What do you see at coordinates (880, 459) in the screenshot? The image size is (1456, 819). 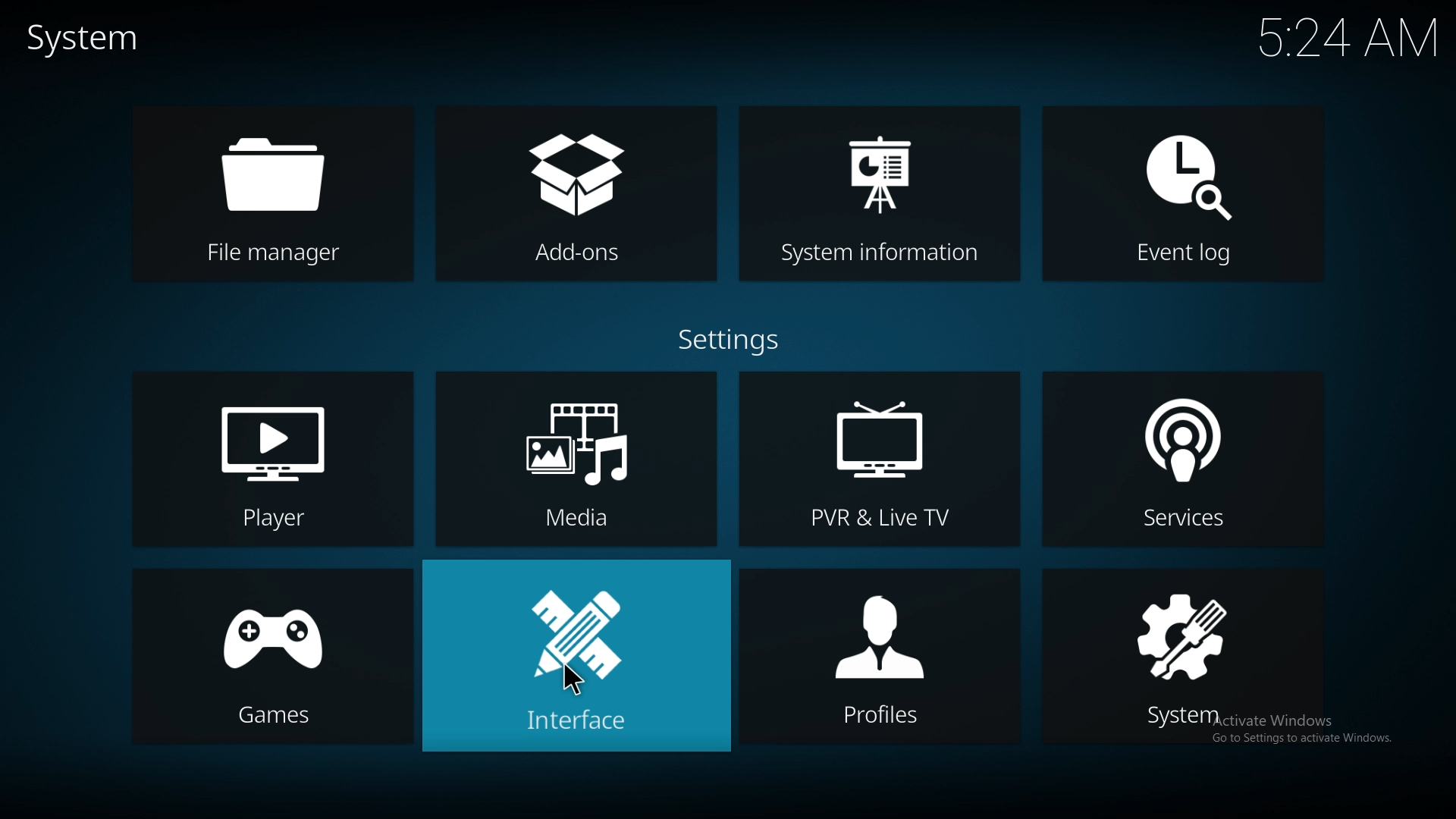 I see `pvr and live tv` at bounding box center [880, 459].